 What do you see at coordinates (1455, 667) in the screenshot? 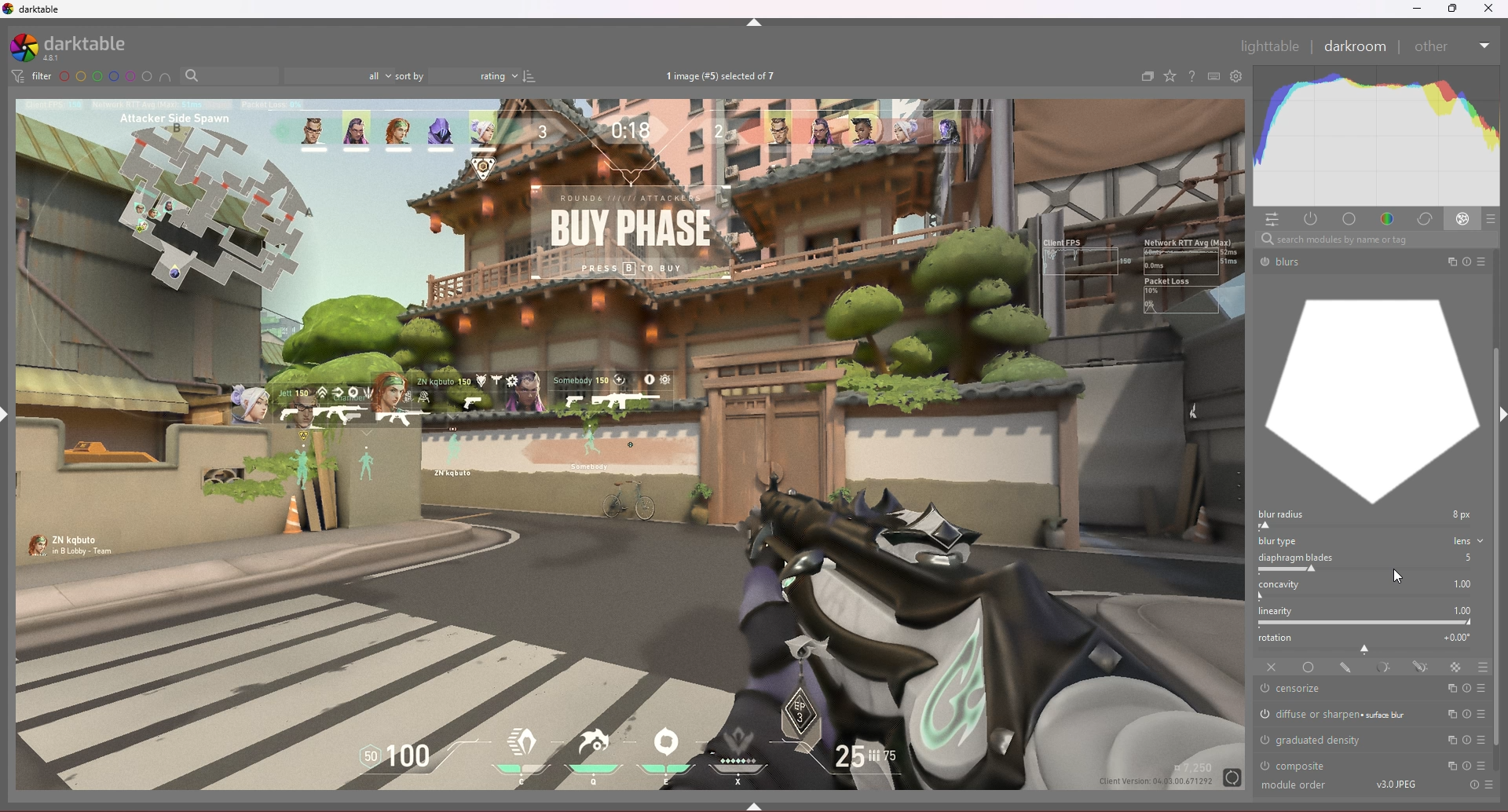
I see `raster mask` at bounding box center [1455, 667].